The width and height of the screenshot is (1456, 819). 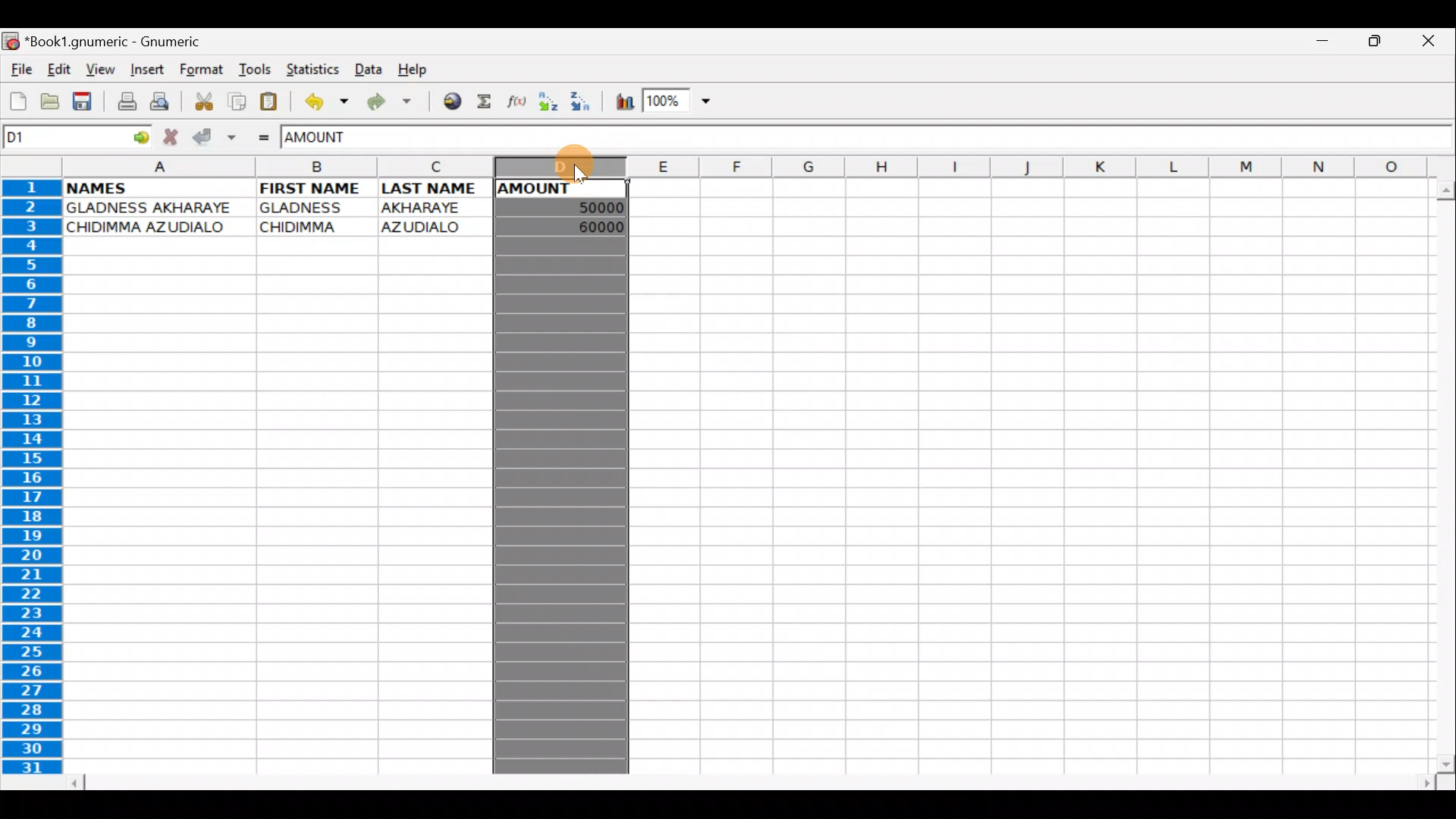 What do you see at coordinates (61, 71) in the screenshot?
I see `Edit` at bounding box center [61, 71].